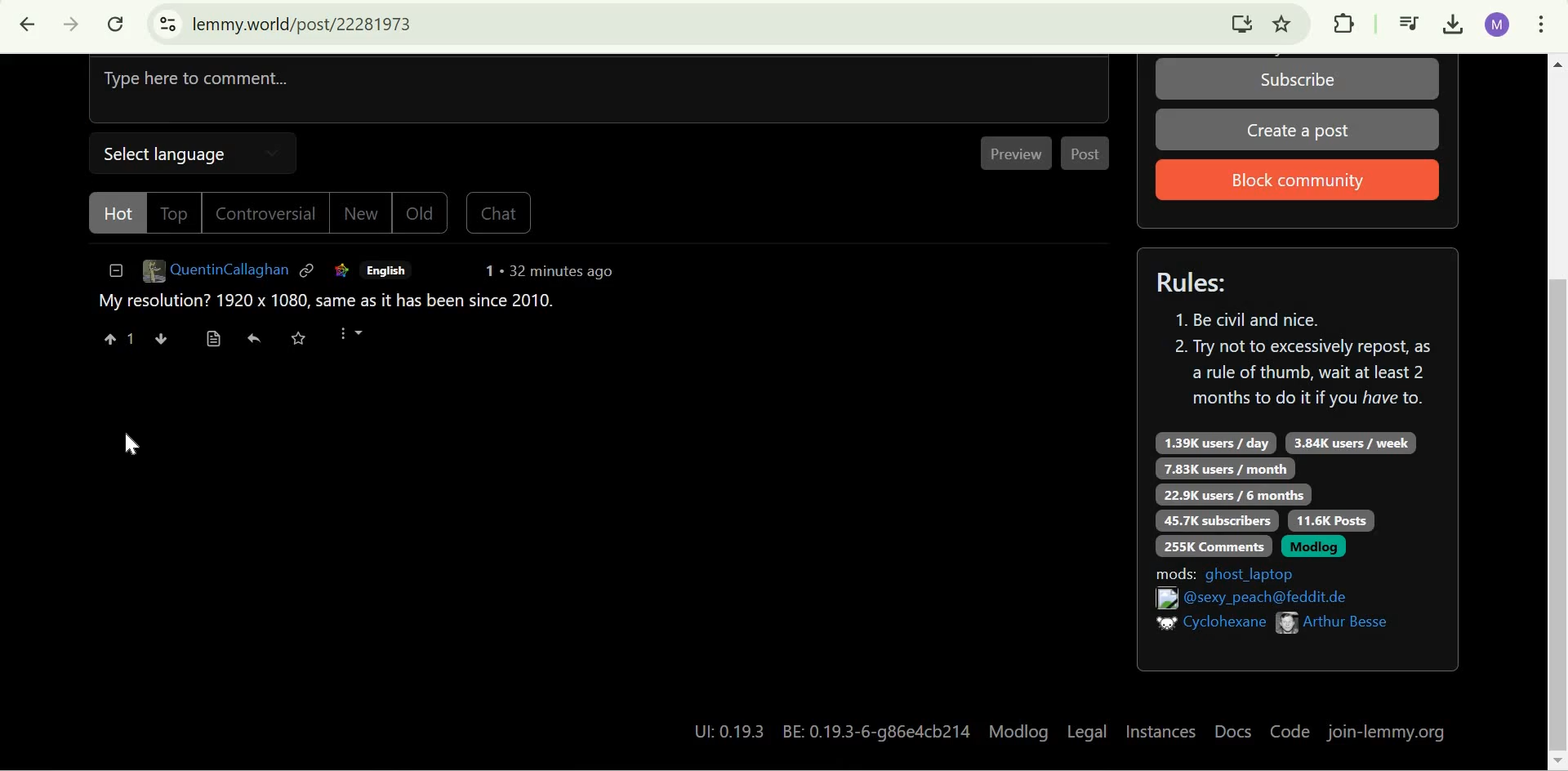 Image resolution: width=1568 pixels, height=771 pixels. Describe the element at coordinates (259, 343) in the screenshot. I see `reply` at that location.